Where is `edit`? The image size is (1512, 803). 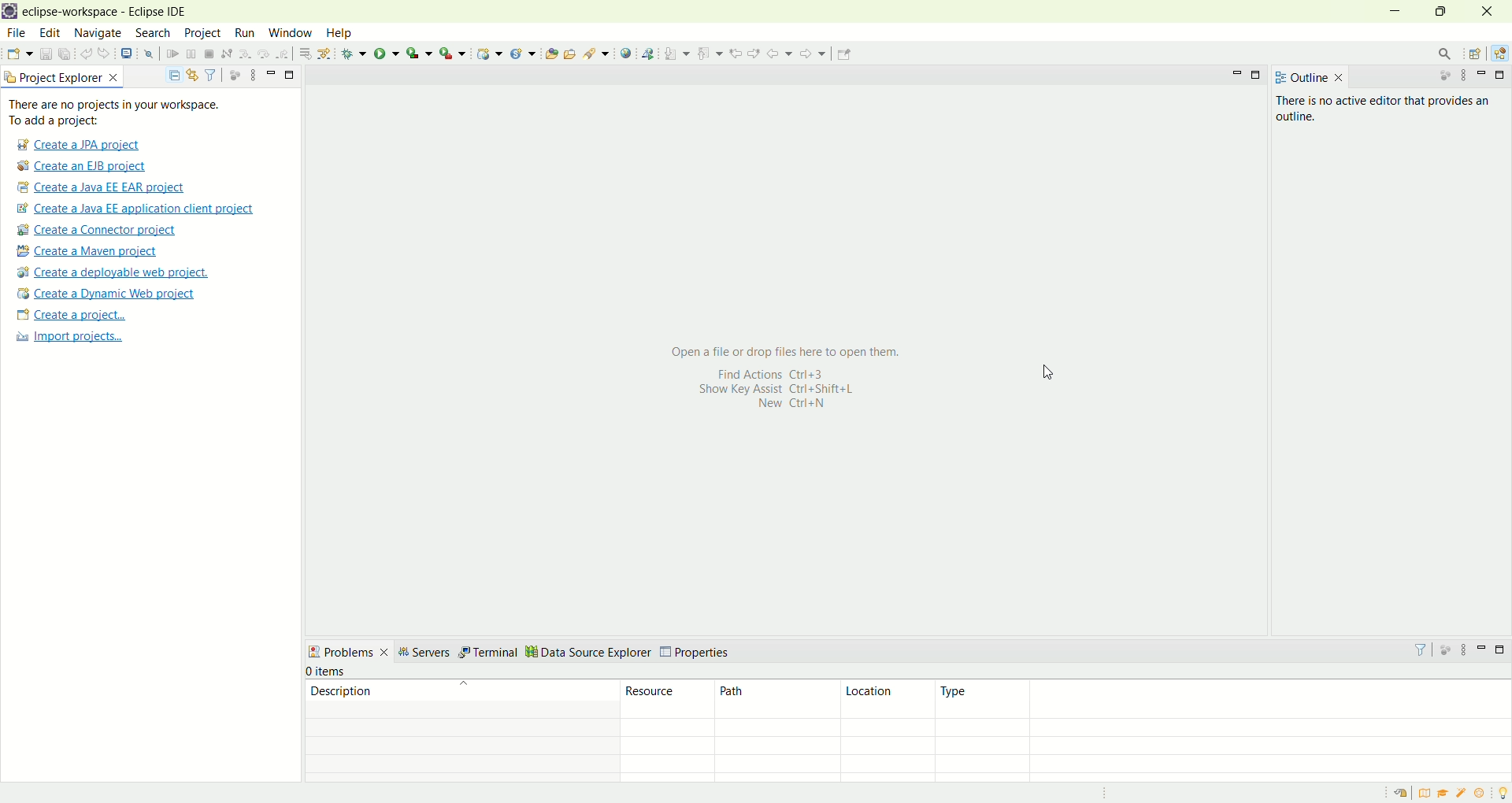
edit is located at coordinates (53, 34).